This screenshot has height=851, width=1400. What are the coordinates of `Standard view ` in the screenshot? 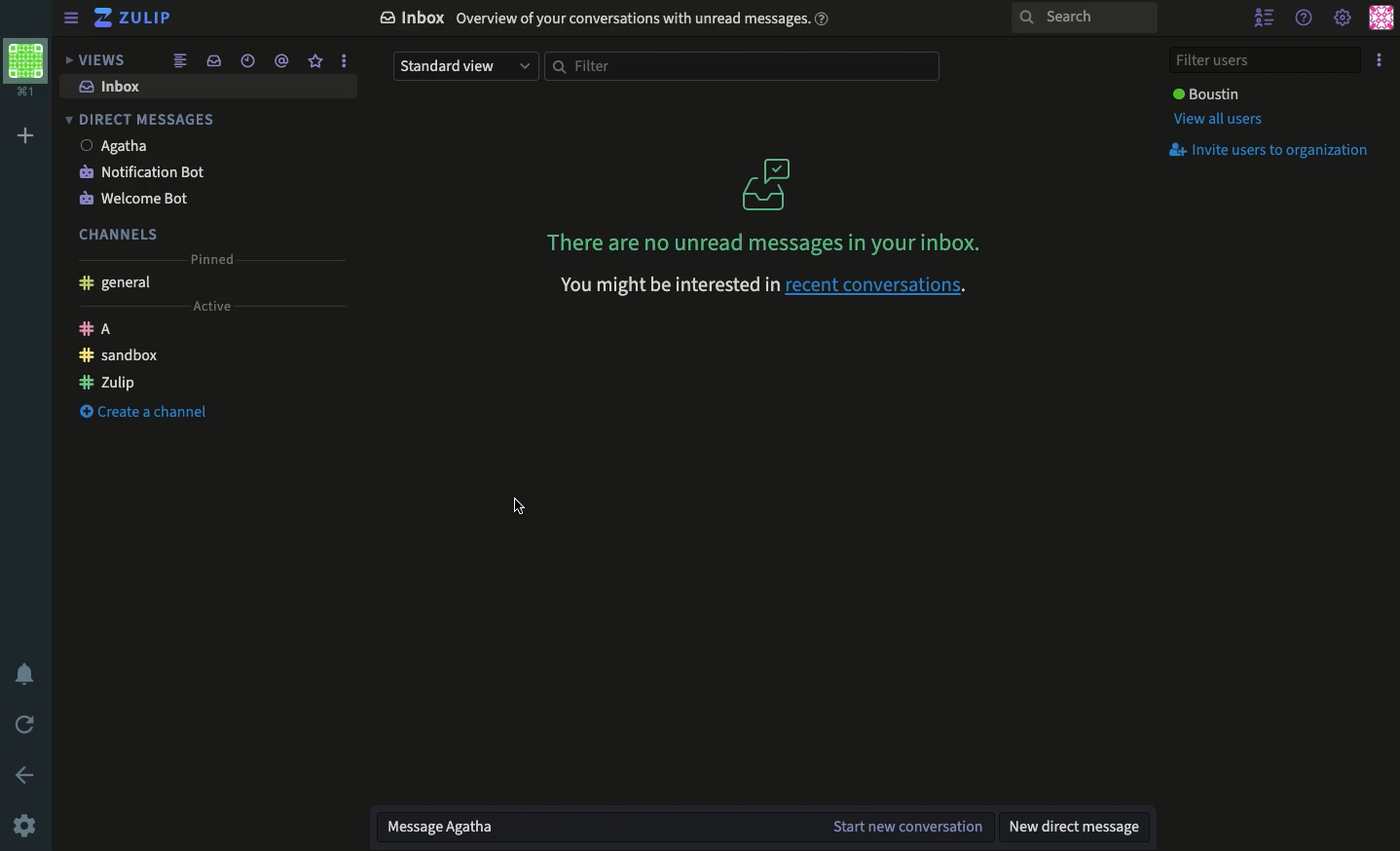 It's located at (464, 66).